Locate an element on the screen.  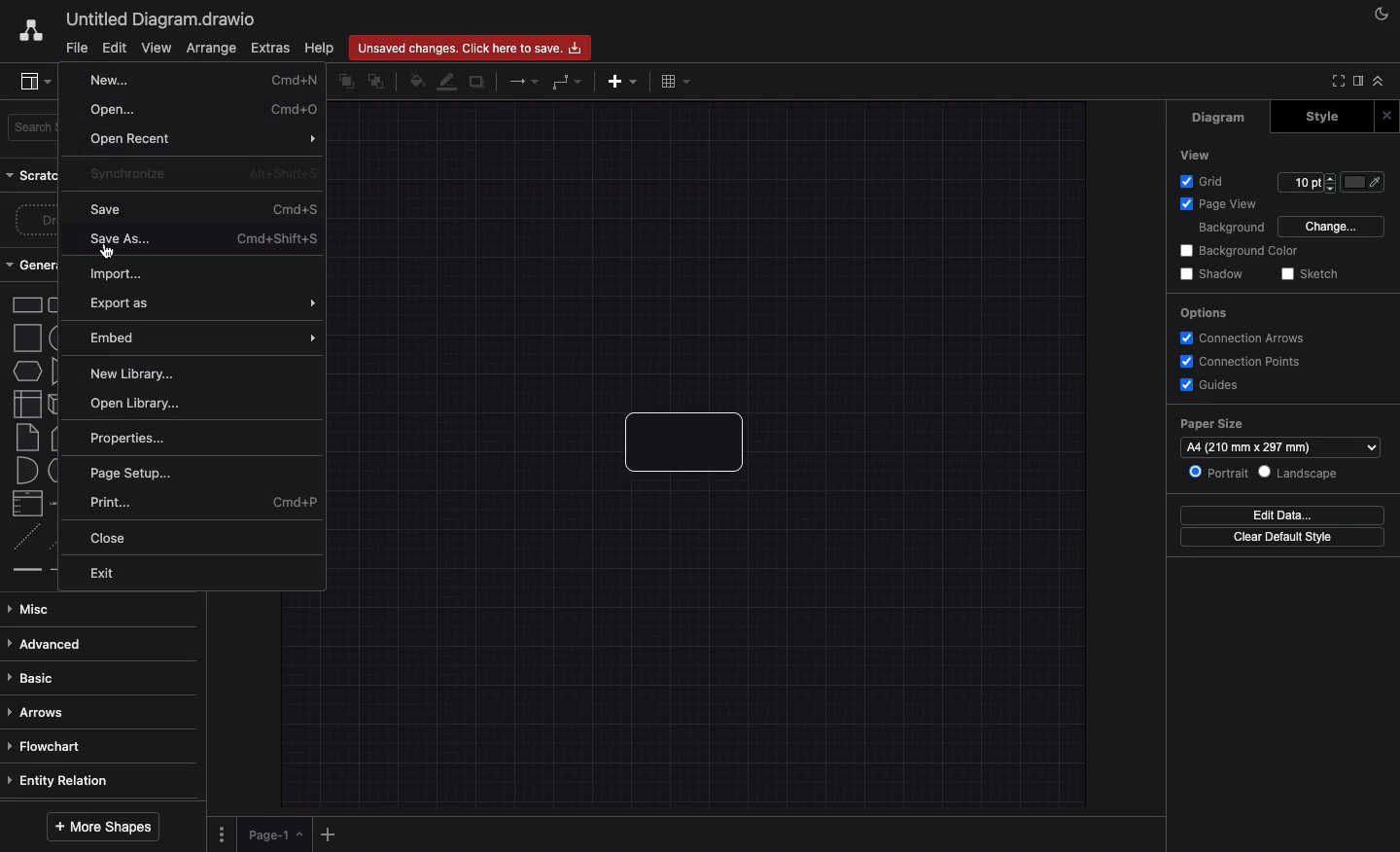
Diagram is located at coordinates (1221, 117).